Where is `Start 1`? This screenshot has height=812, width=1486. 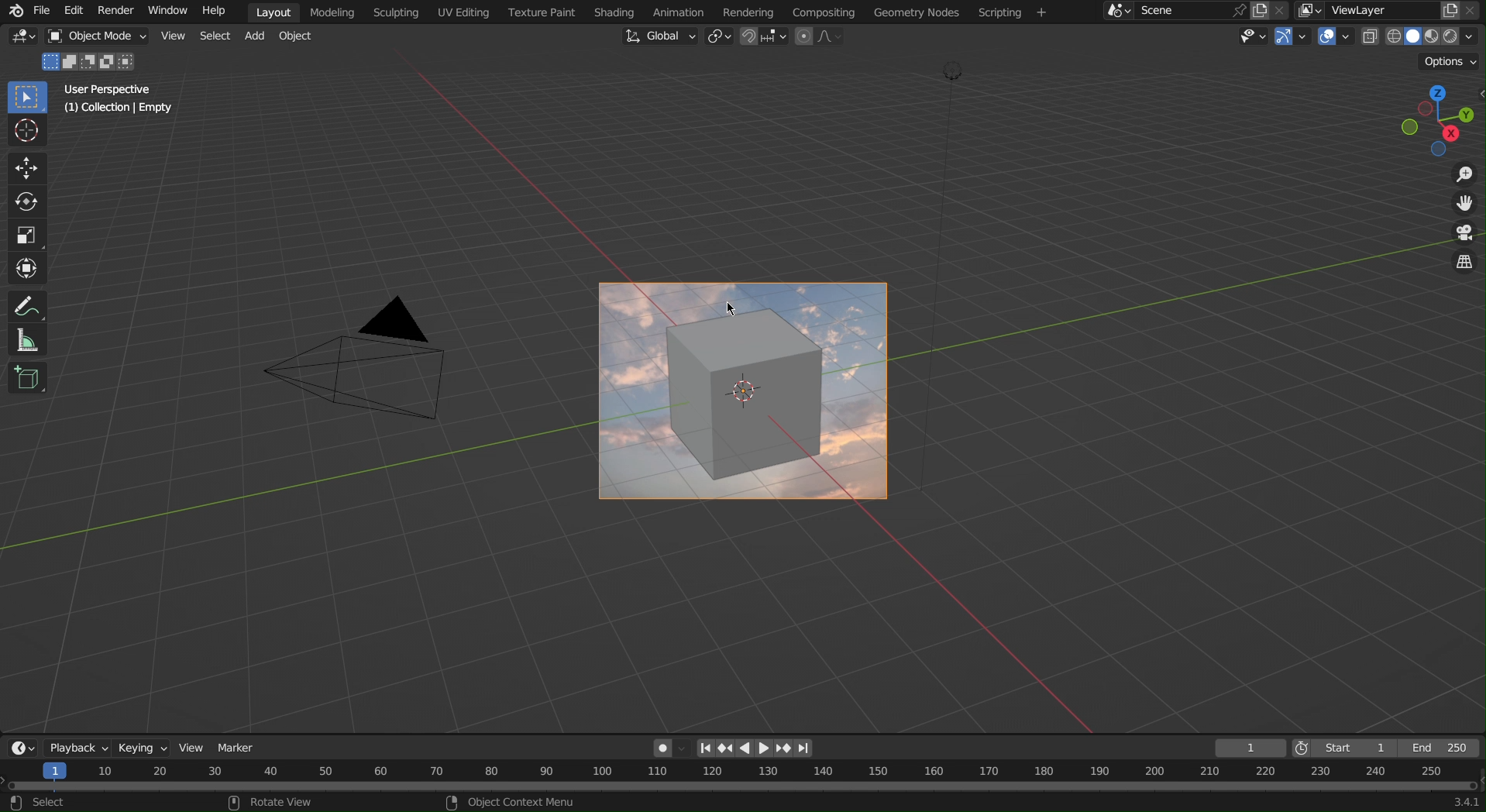
Start 1 is located at coordinates (1345, 746).